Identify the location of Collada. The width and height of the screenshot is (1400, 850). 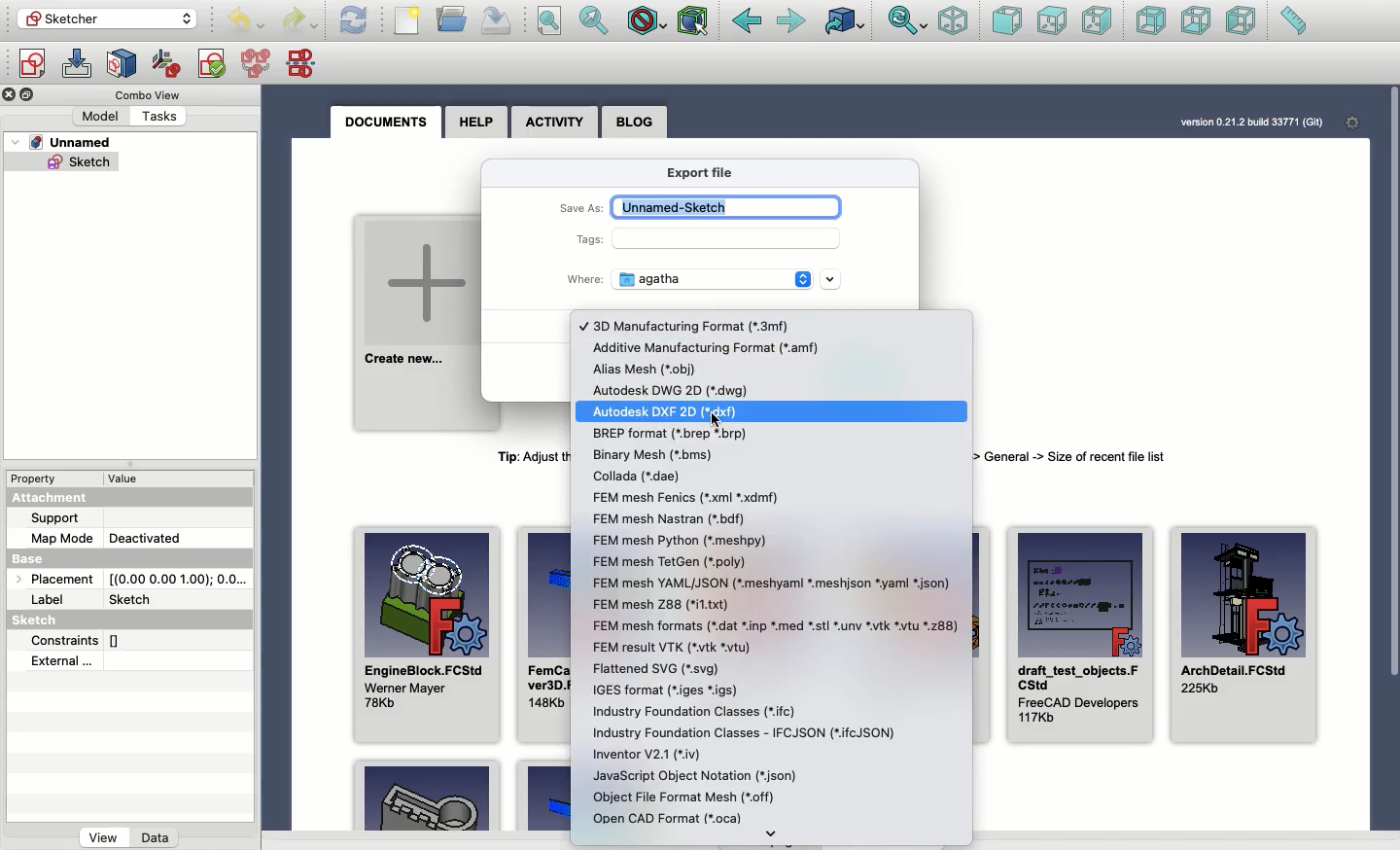
(638, 477).